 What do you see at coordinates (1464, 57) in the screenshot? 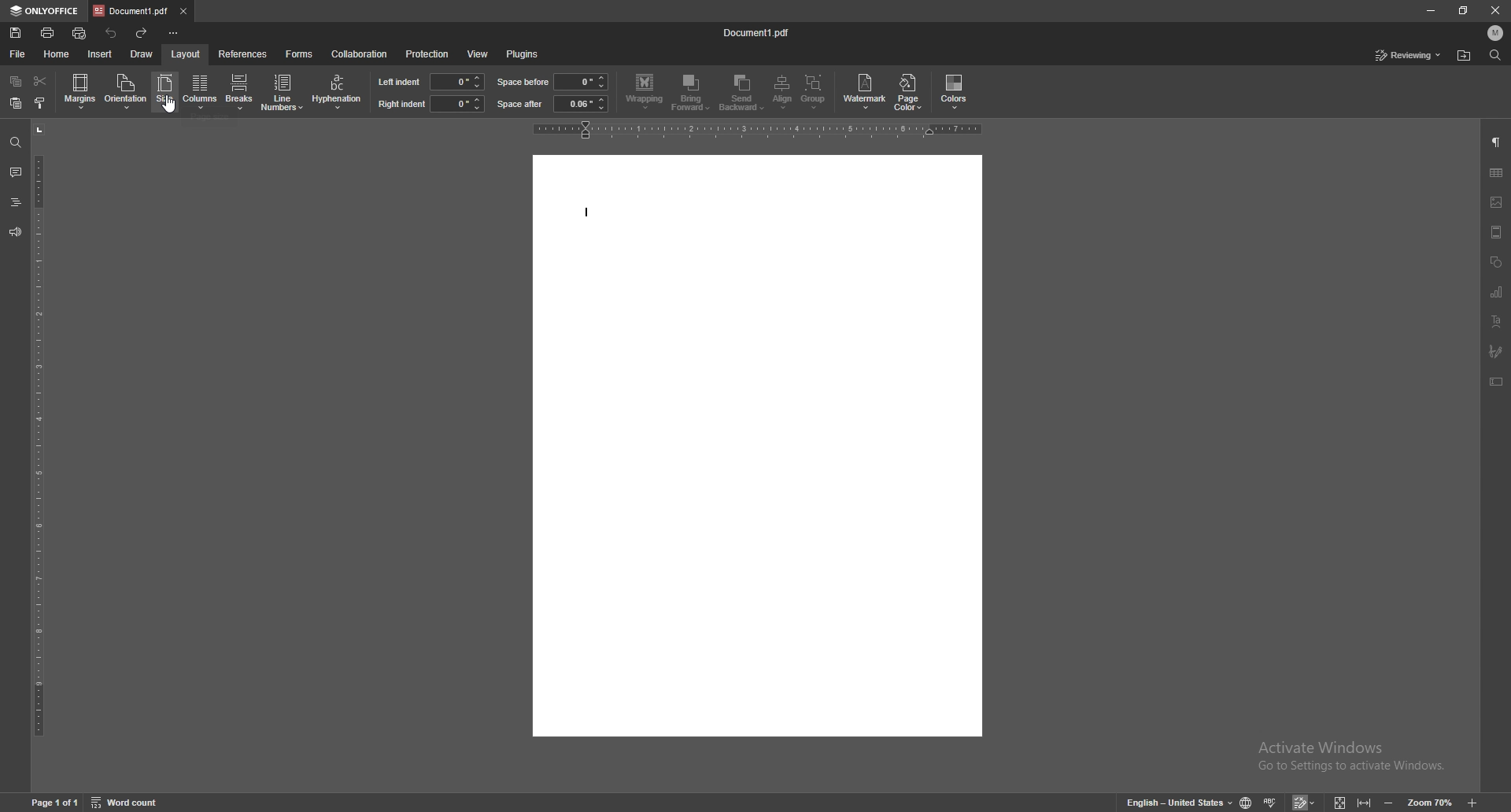
I see `locate file` at bounding box center [1464, 57].